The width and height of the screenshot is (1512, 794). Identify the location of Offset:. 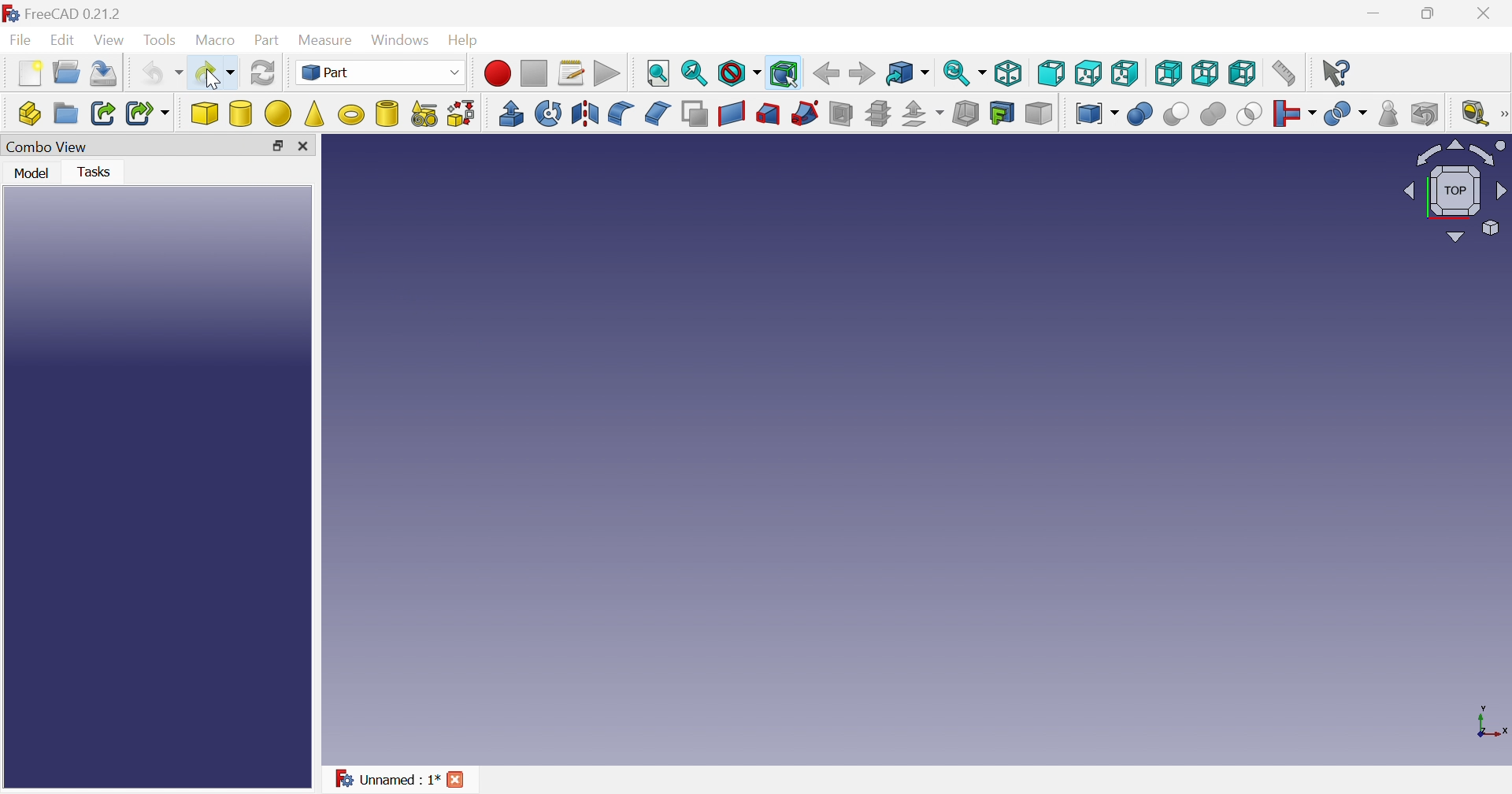
(922, 114).